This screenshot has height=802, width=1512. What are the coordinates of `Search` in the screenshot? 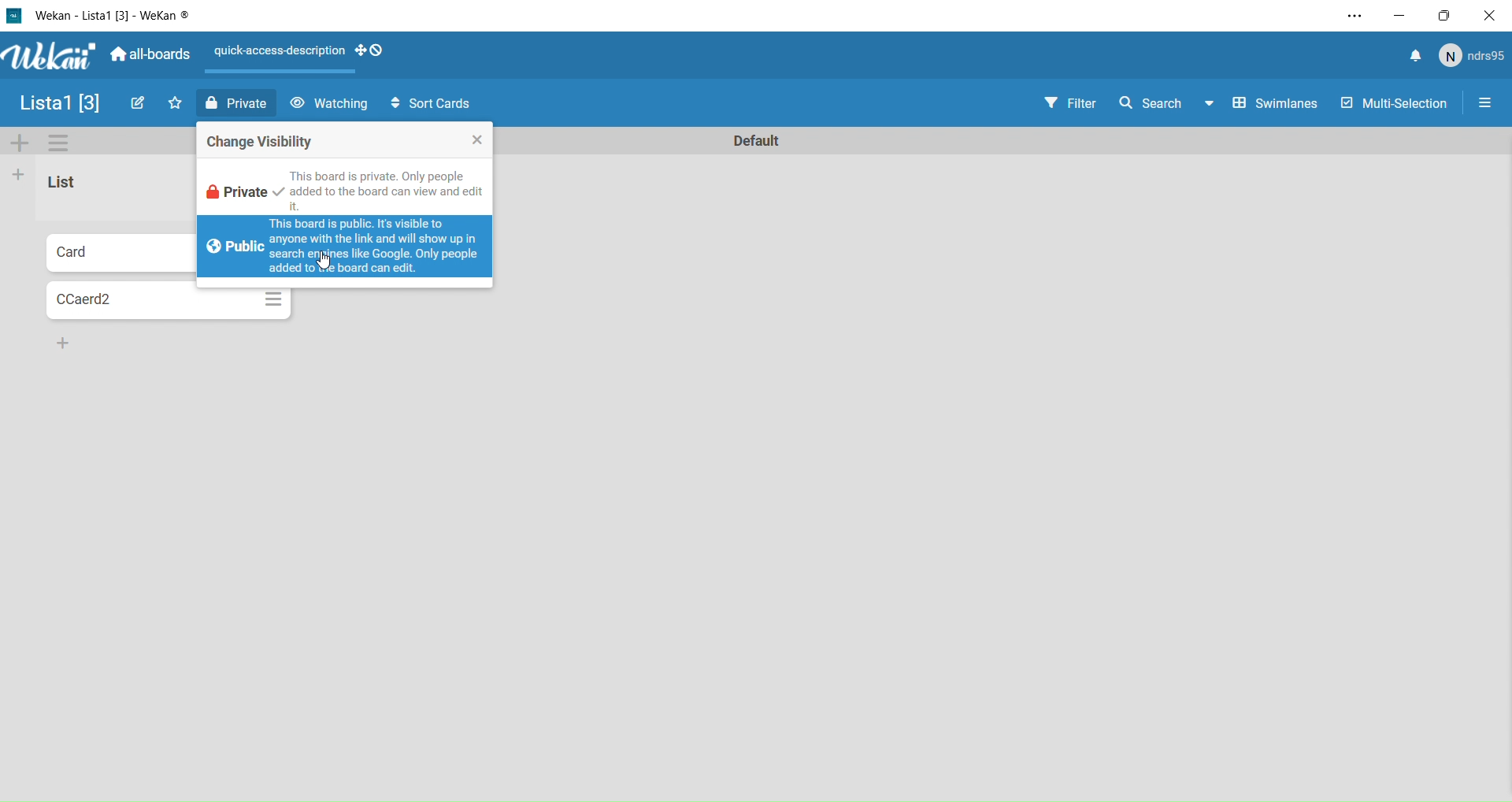 It's located at (1165, 106).